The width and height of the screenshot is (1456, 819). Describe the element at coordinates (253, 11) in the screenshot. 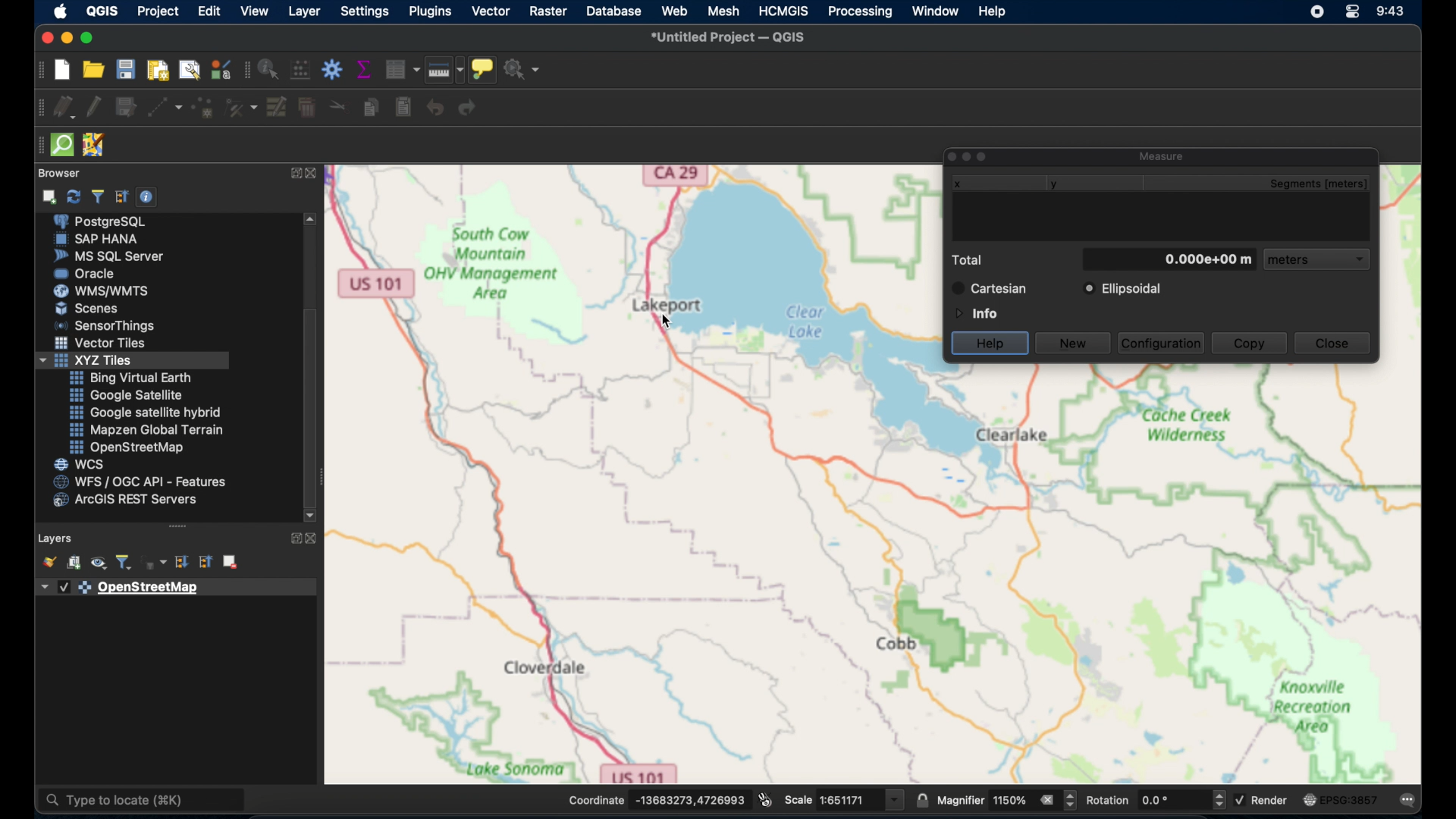

I see `view` at that location.